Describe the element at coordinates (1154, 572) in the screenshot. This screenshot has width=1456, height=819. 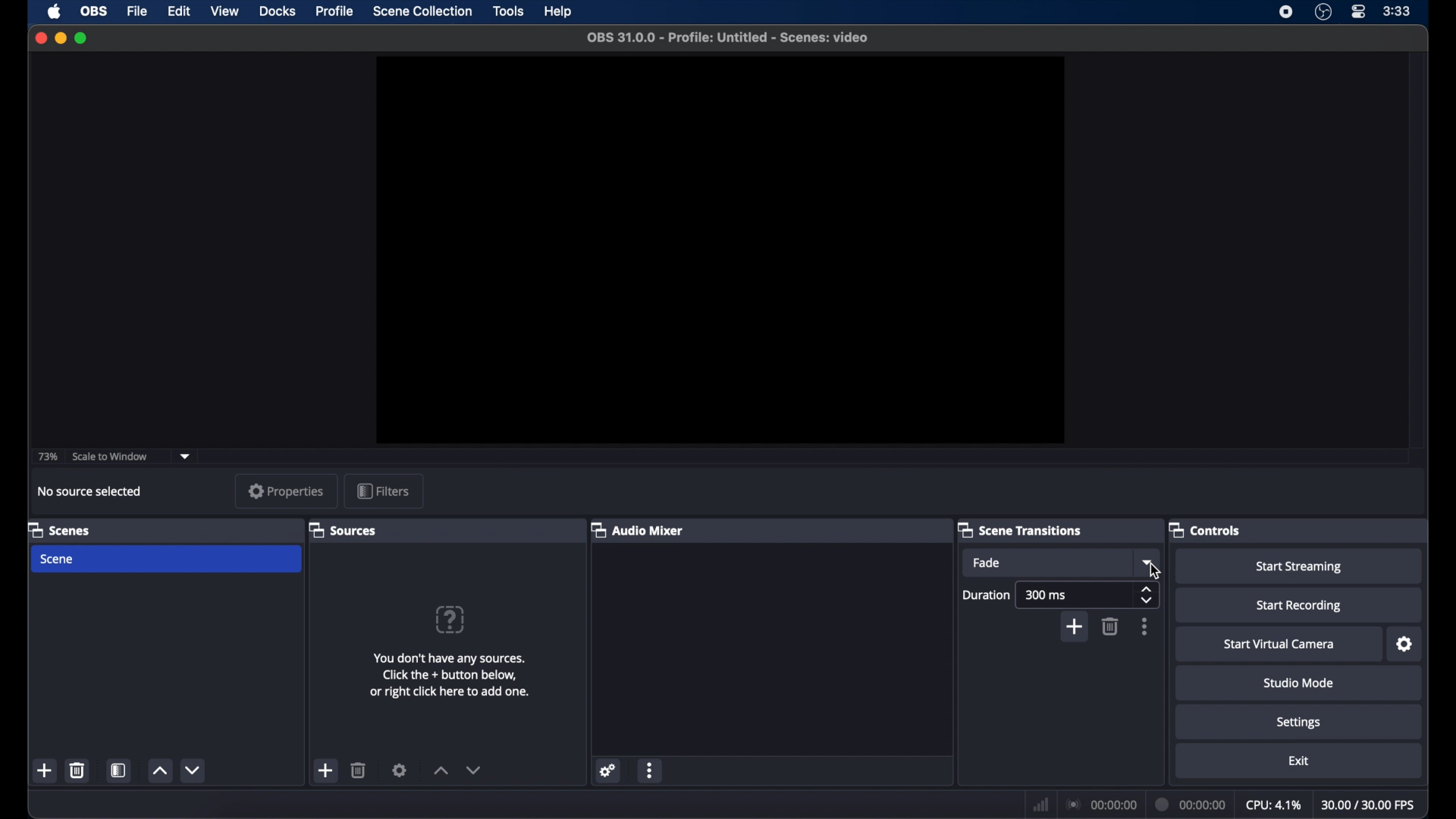
I see `Cursor` at that location.